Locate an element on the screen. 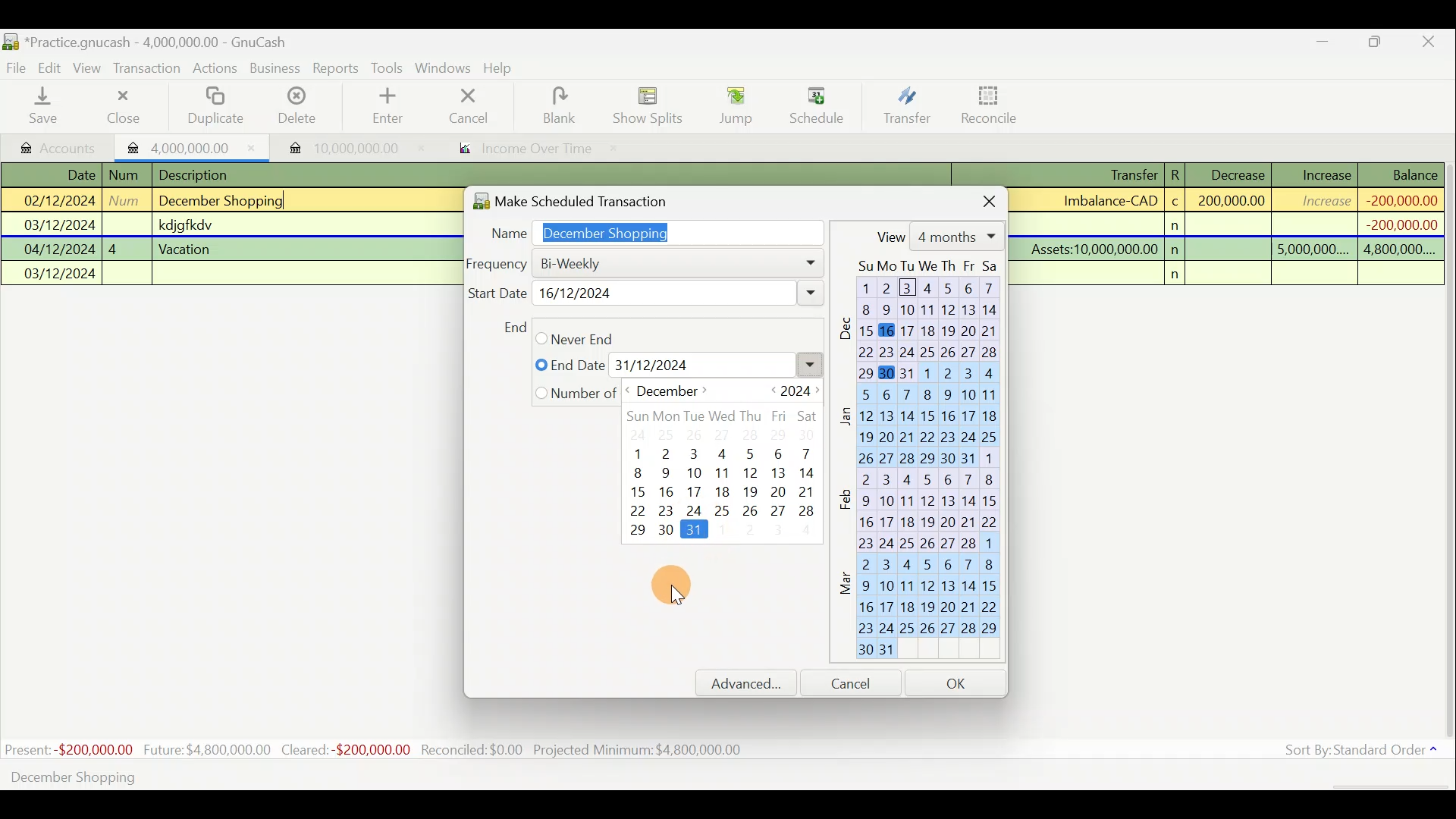 This screenshot has height=819, width=1456. Imported transaction 1 is located at coordinates (193, 146).